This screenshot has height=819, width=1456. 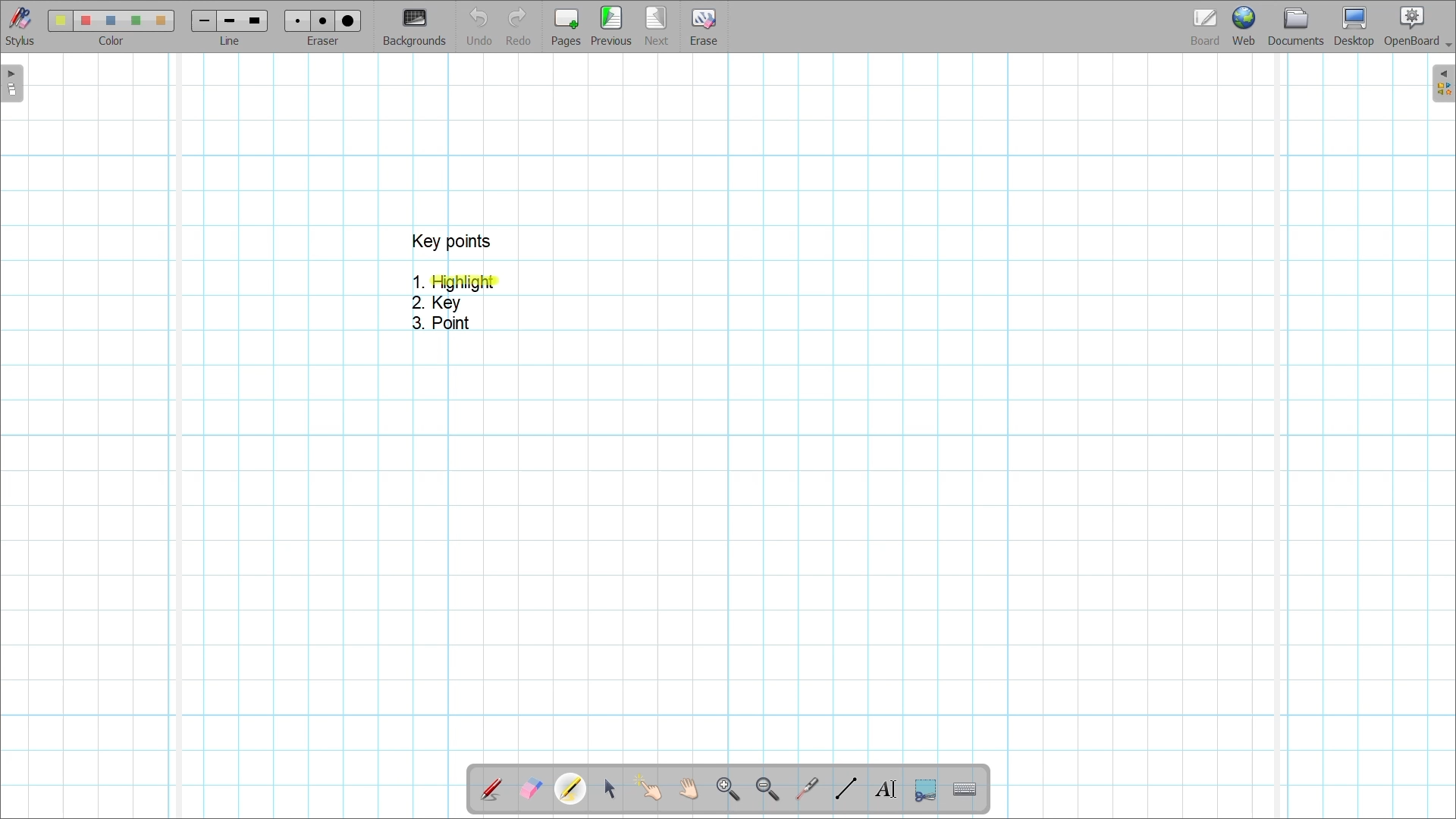 I want to click on key points, so click(x=450, y=241).